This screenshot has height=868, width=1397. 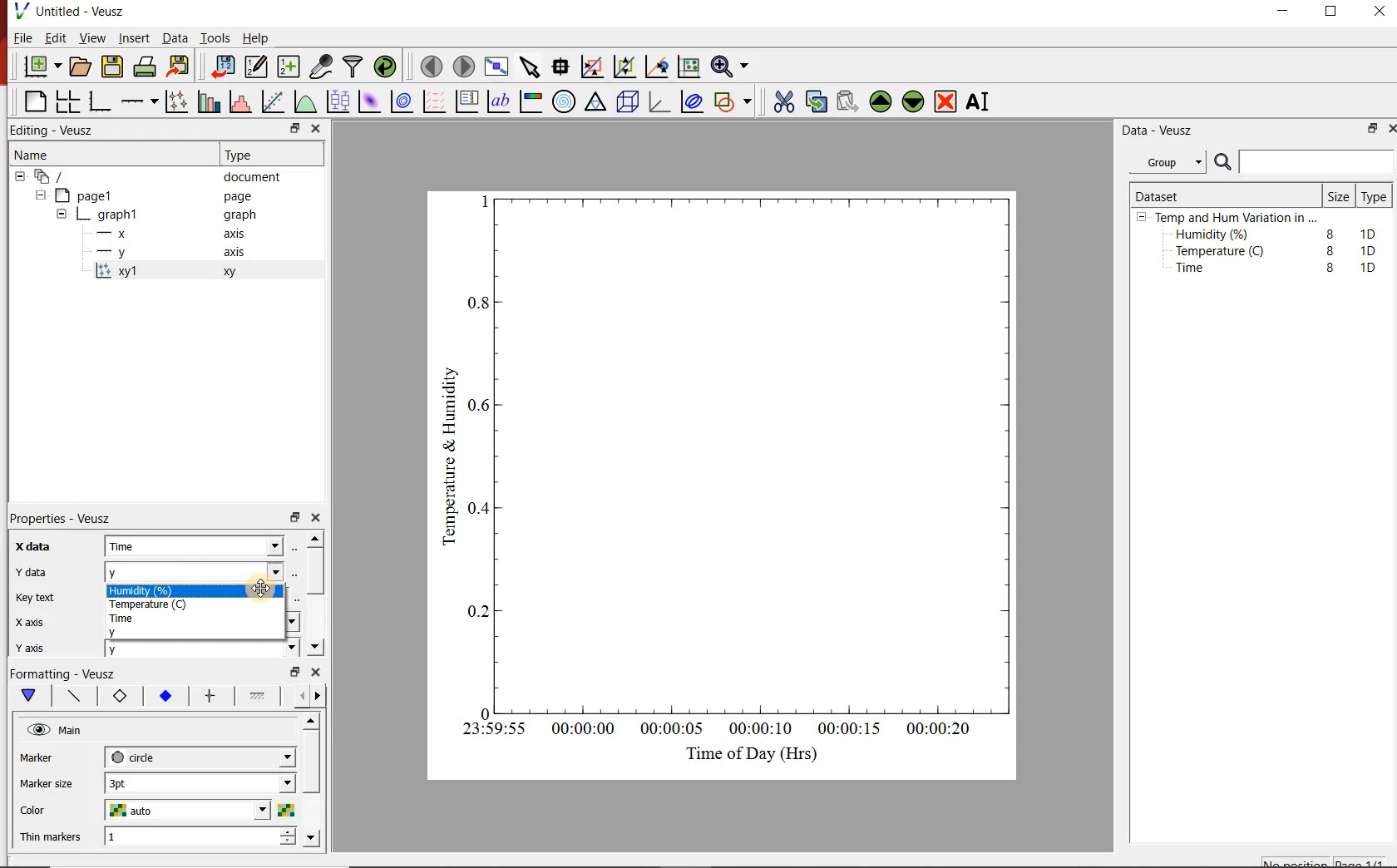 I want to click on Select using dataset browser, so click(x=300, y=547).